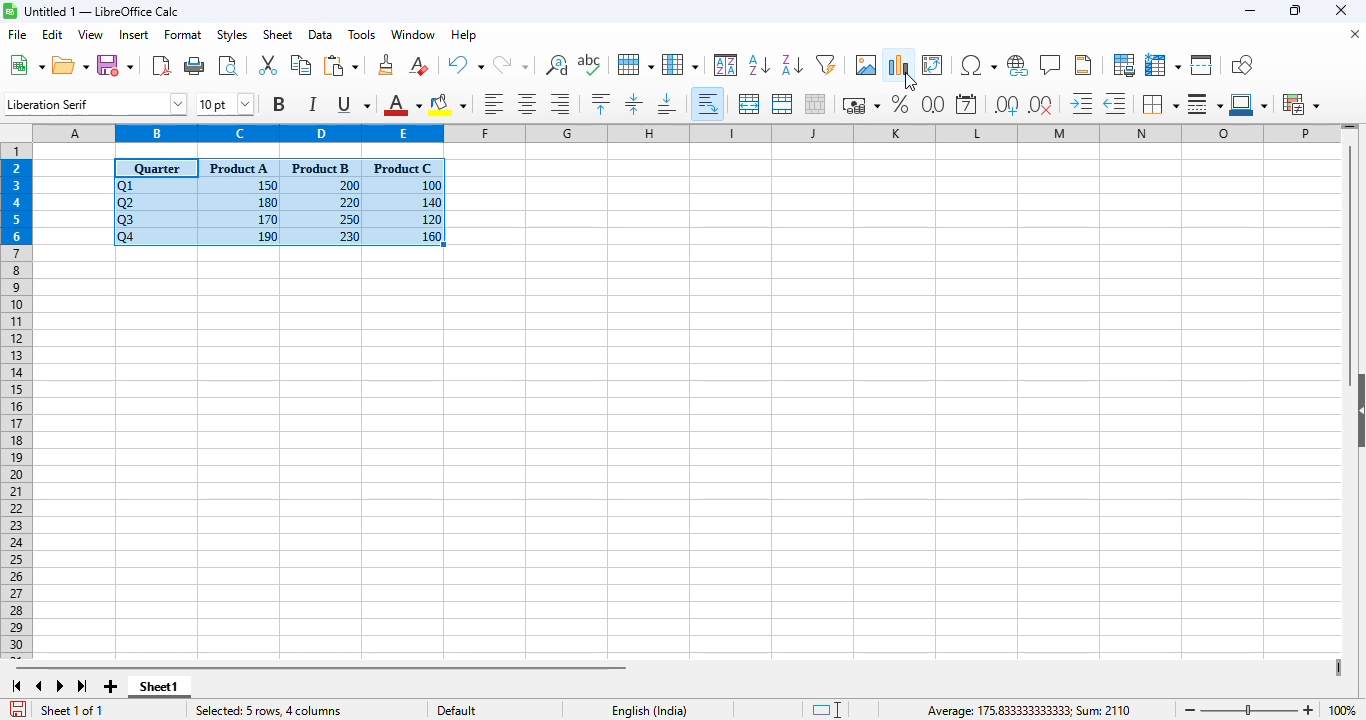 The height and width of the screenshot is (720, 1366). I want to click on clear direct formatting, so click(419, 65).